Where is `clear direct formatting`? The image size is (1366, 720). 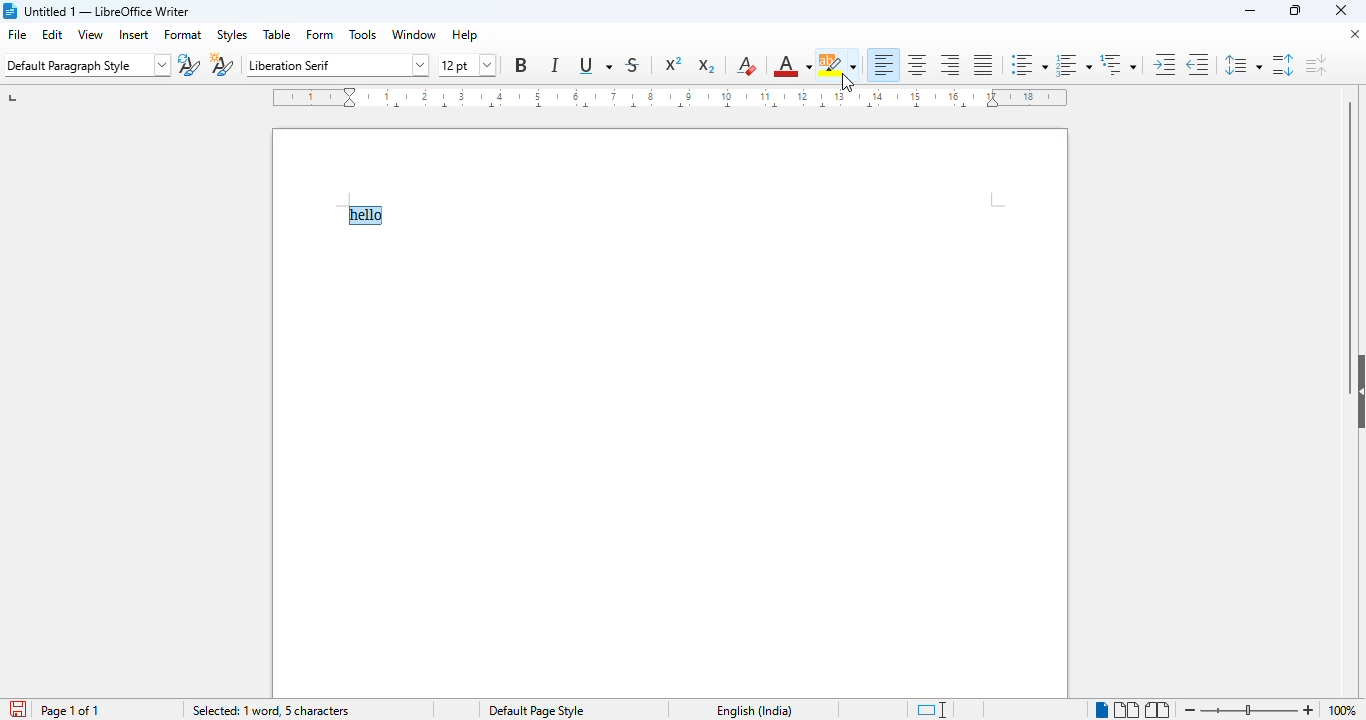
clear direct formatting is located at coordinates (747, 65).